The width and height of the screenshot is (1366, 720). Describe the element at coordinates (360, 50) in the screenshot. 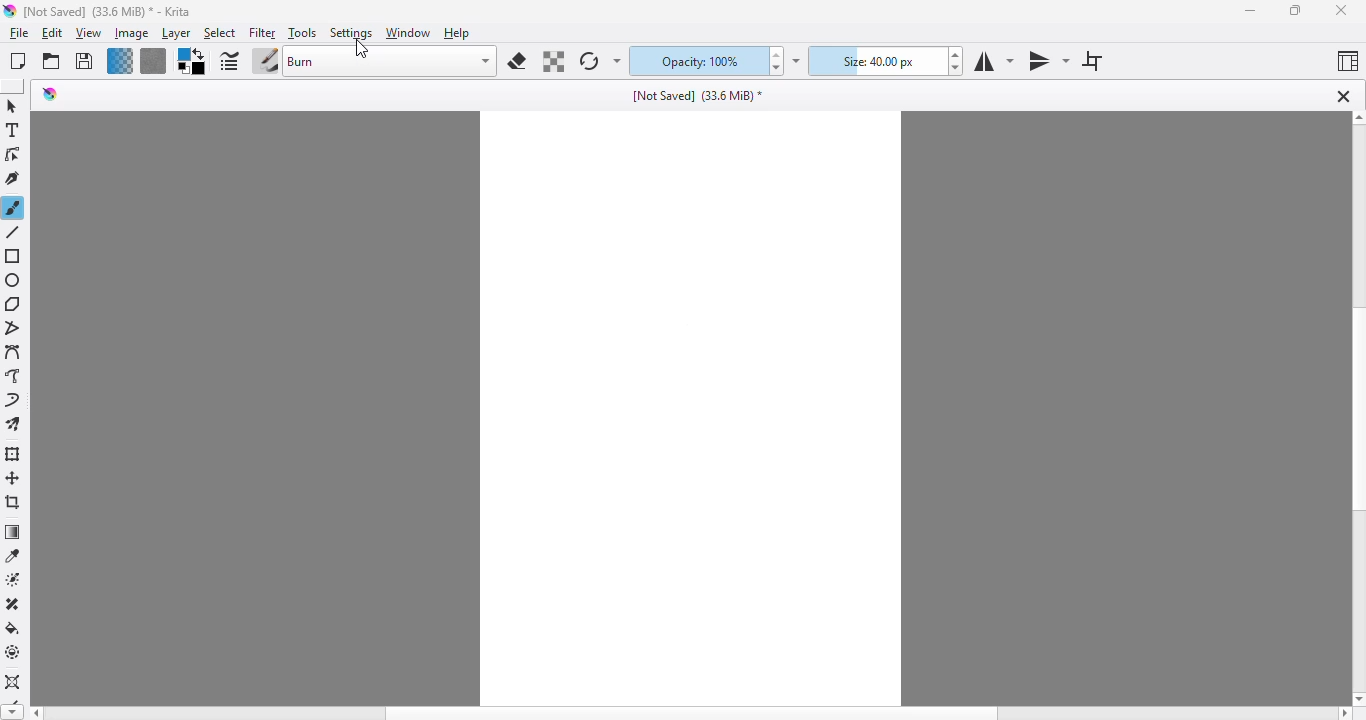

I see `cursor` at that location.